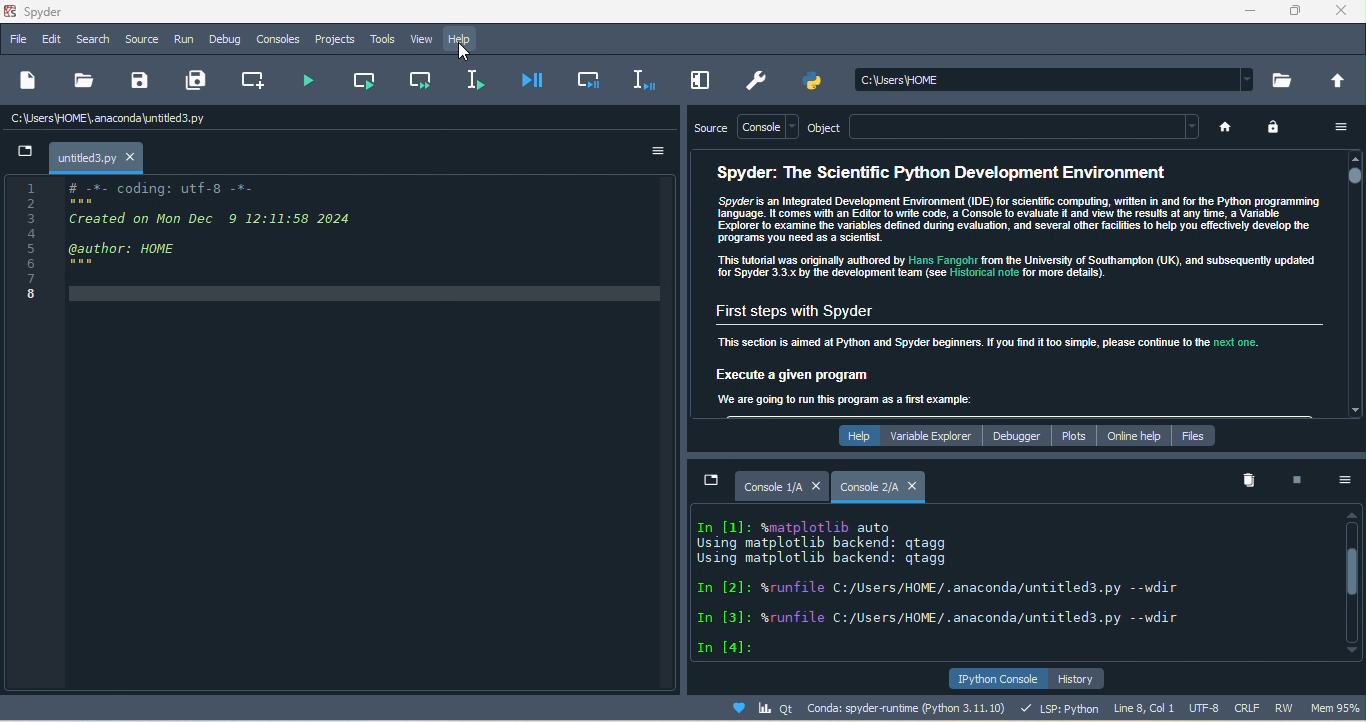 The image size is (1366, 722). What do you see at coordinates (1132, 433) in the screenshot?
I see `online help` at bounding box center [1132, 433].